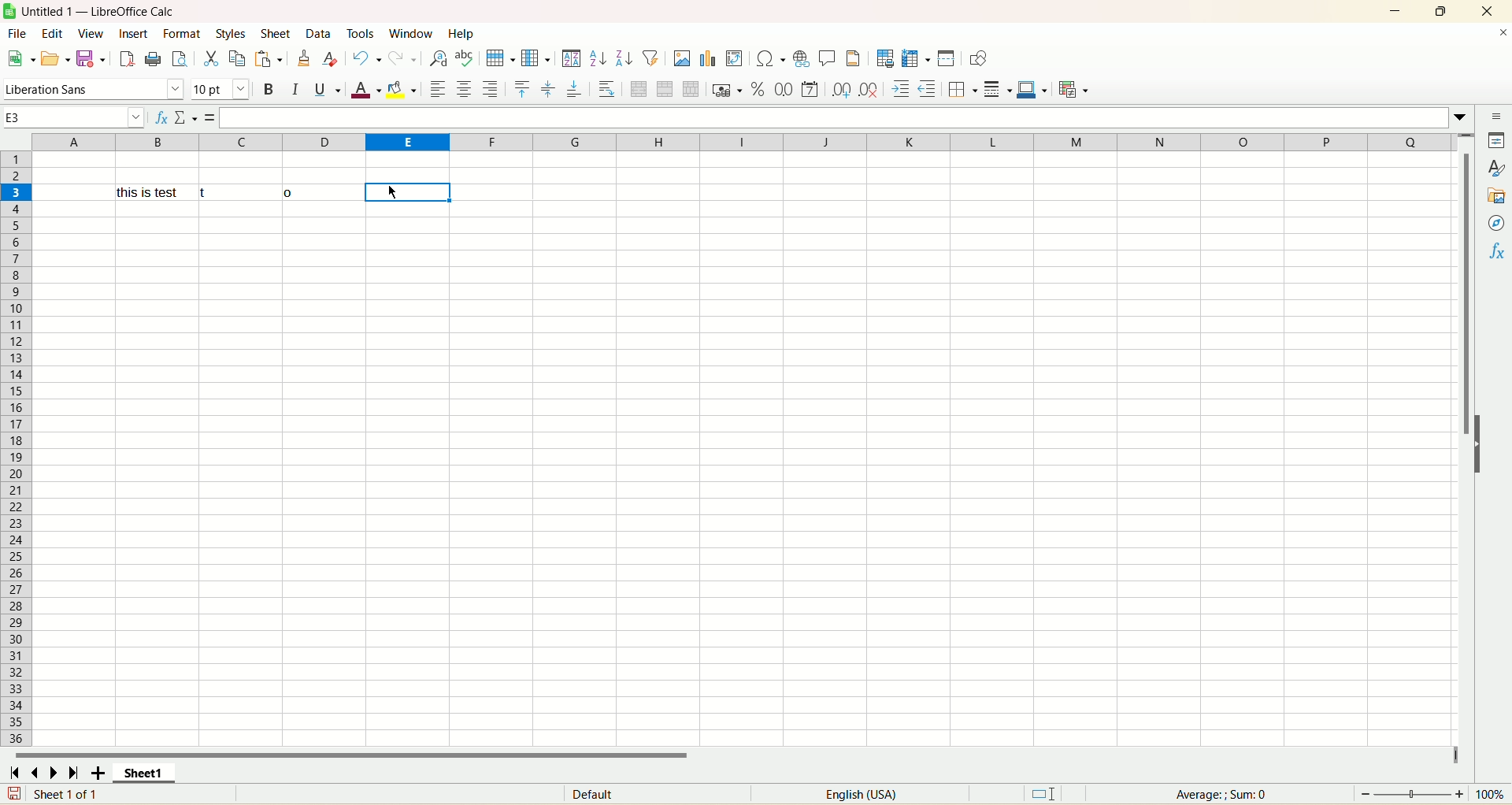 The width and height of the screenshot is (1512, 805). What do you see at coordinates (927, 90) in the screenshot?
I see `decrease indent` at bounding box center [927, 90].